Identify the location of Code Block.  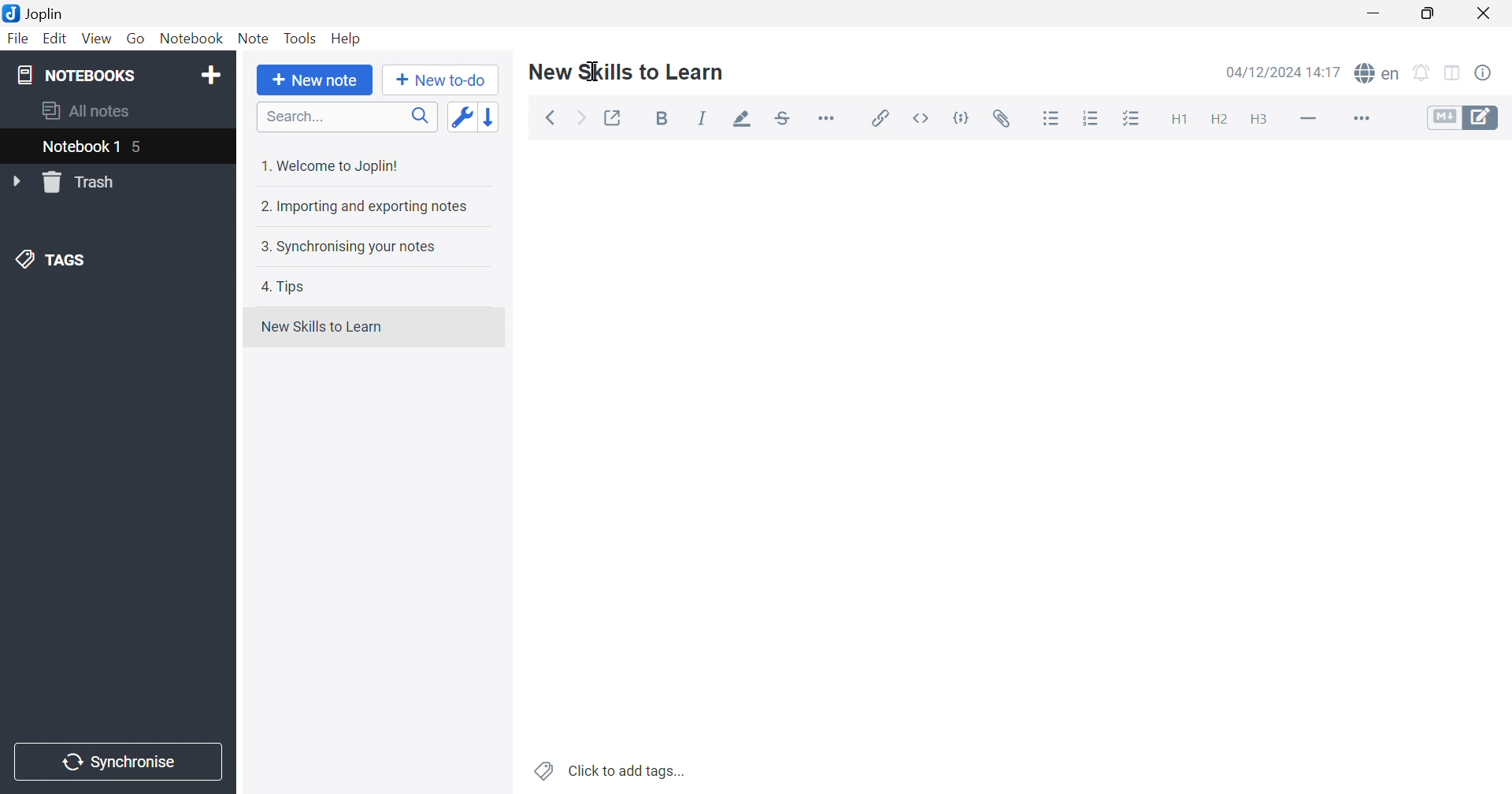
(965, 121).